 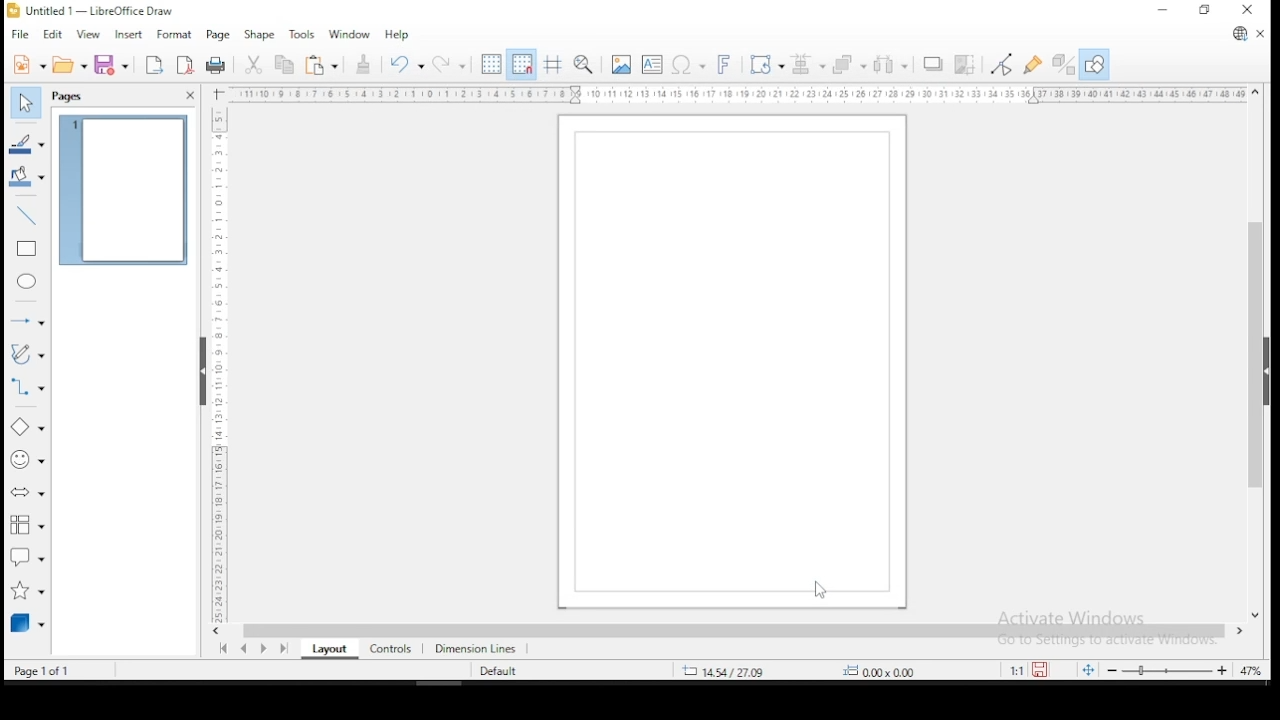 I want to click on file, so click(x=19, y=35).